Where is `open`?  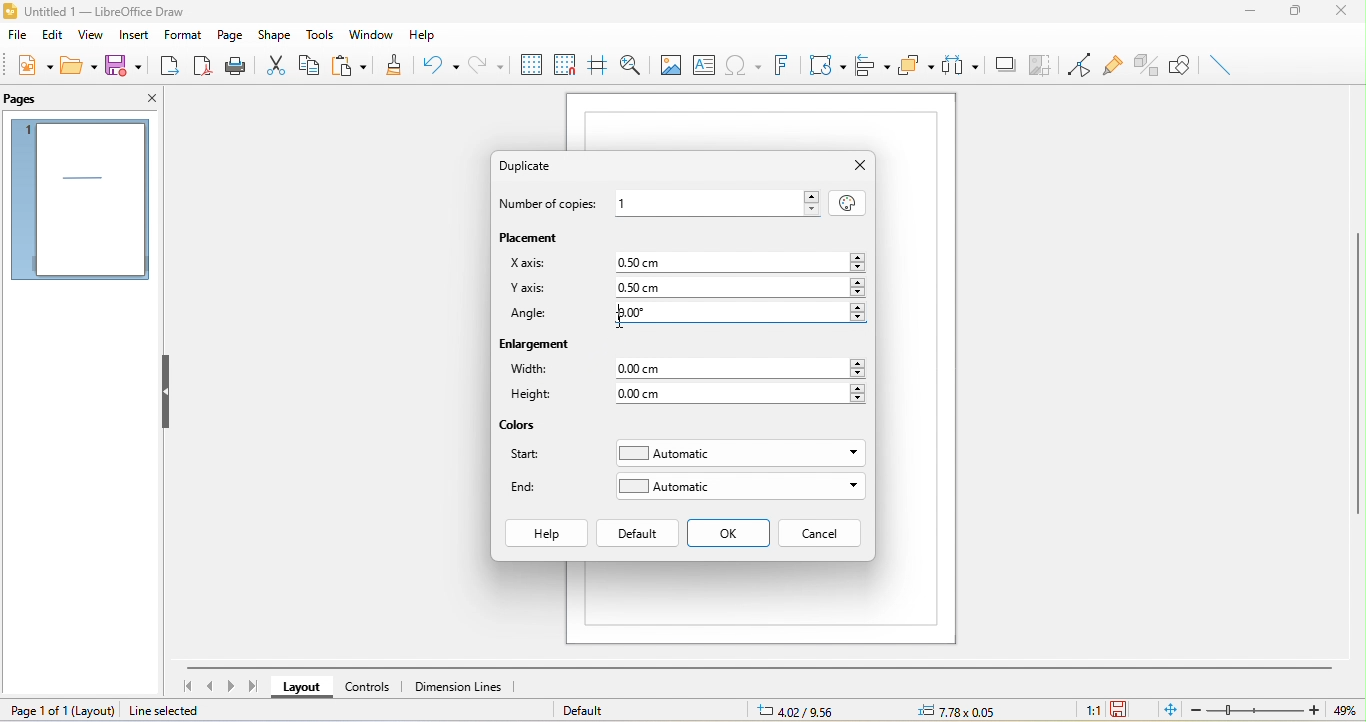
open is located at coordinates (81, 66).